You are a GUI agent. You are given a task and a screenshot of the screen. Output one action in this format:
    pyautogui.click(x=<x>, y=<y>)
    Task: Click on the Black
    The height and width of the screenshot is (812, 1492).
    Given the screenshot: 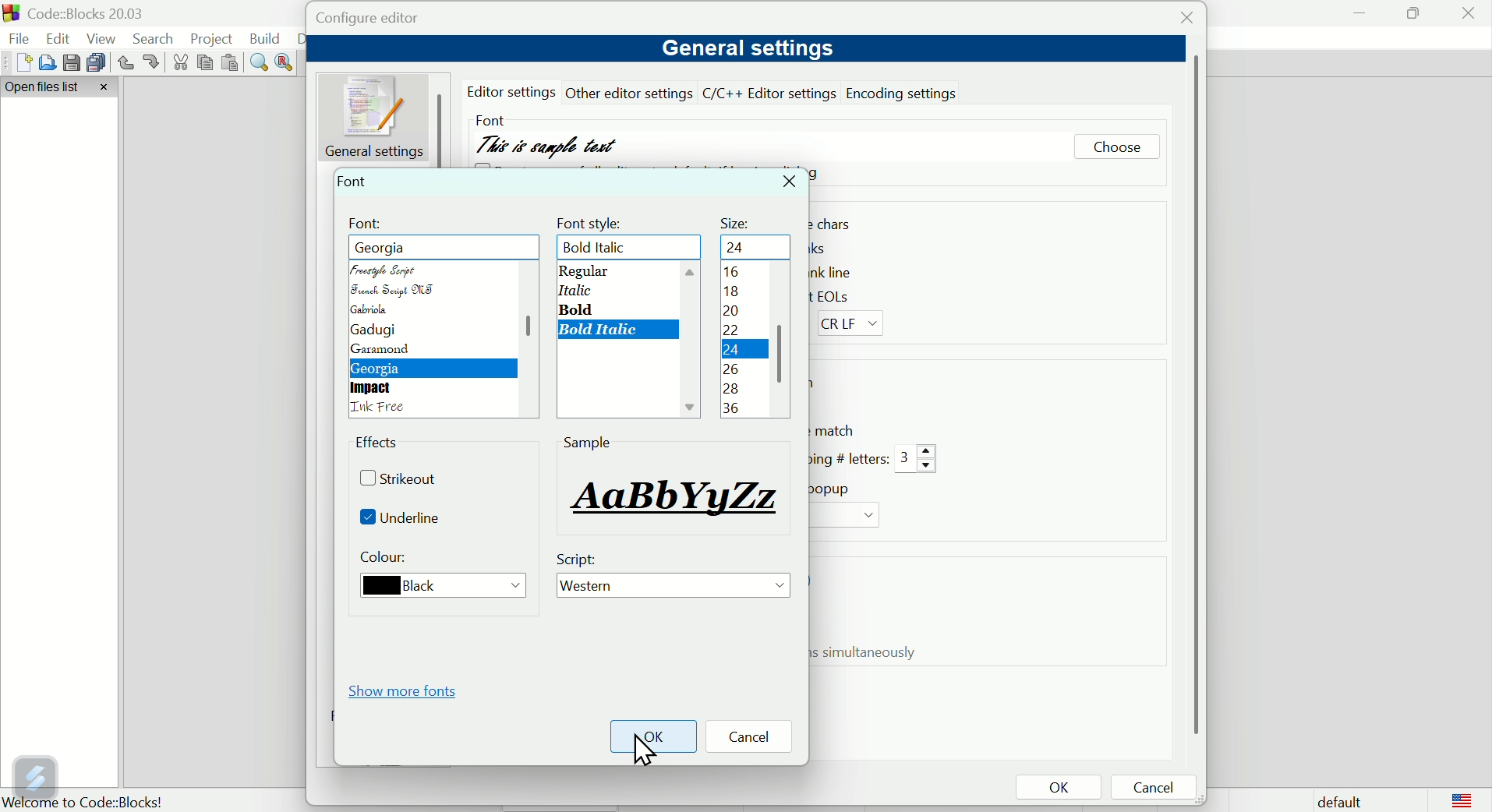 What is the action you would take?
    pyautogui.click(x=436, y=587)
    